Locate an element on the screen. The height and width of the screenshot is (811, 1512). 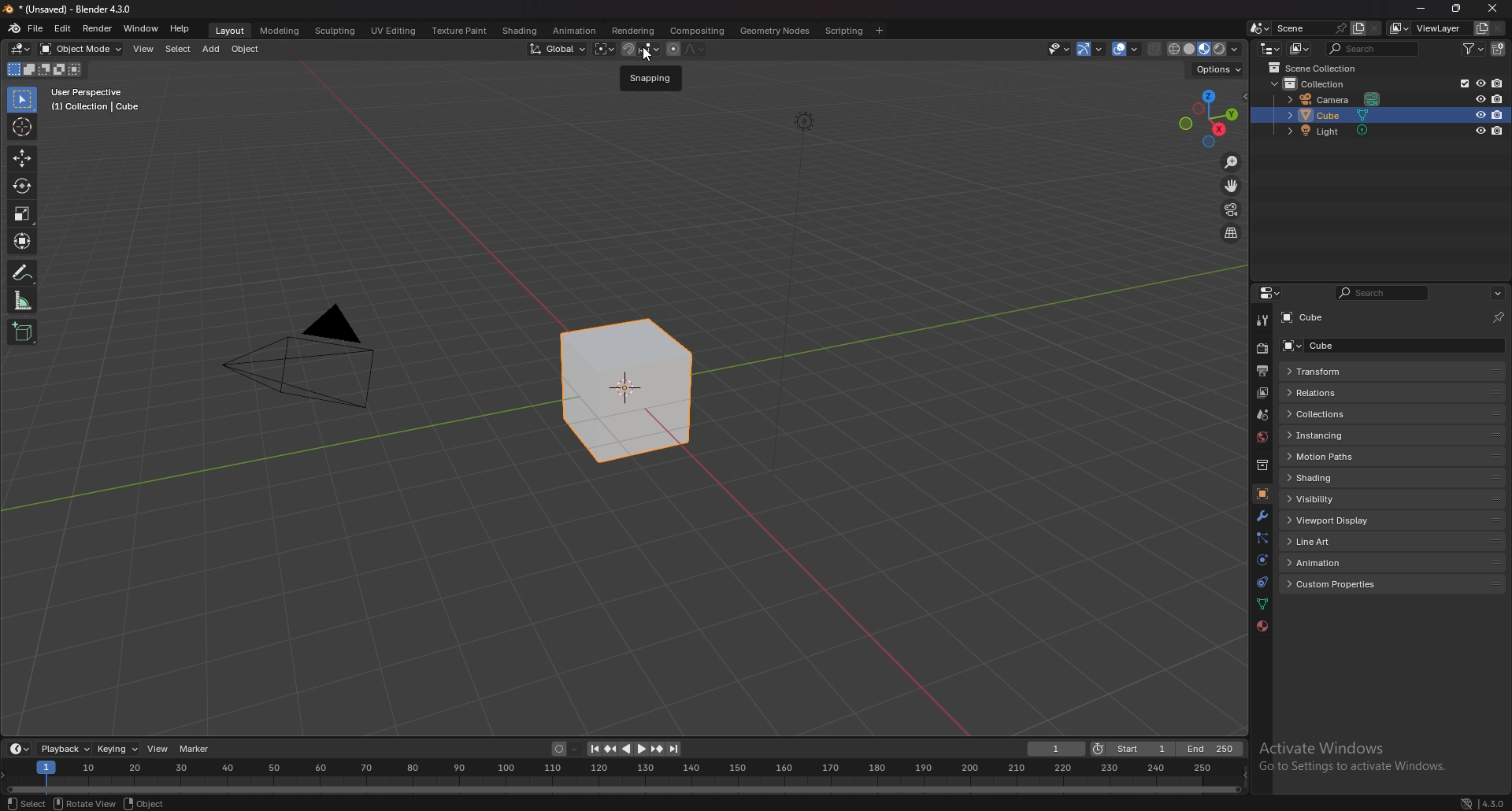
rotate is located at coordinates (23, 185).